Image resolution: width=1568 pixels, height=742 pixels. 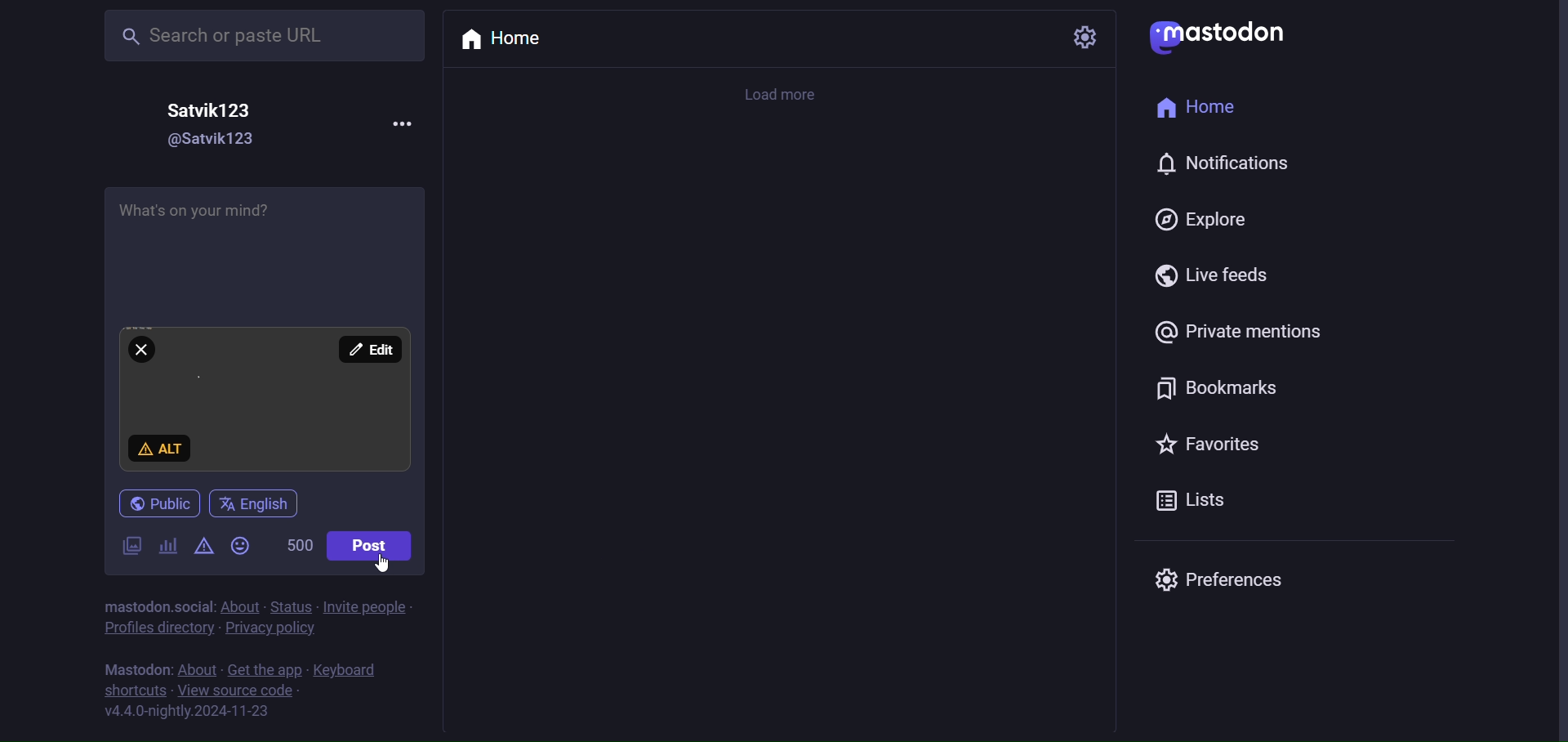 I want to click on setting, so click(x=1081, y=38).